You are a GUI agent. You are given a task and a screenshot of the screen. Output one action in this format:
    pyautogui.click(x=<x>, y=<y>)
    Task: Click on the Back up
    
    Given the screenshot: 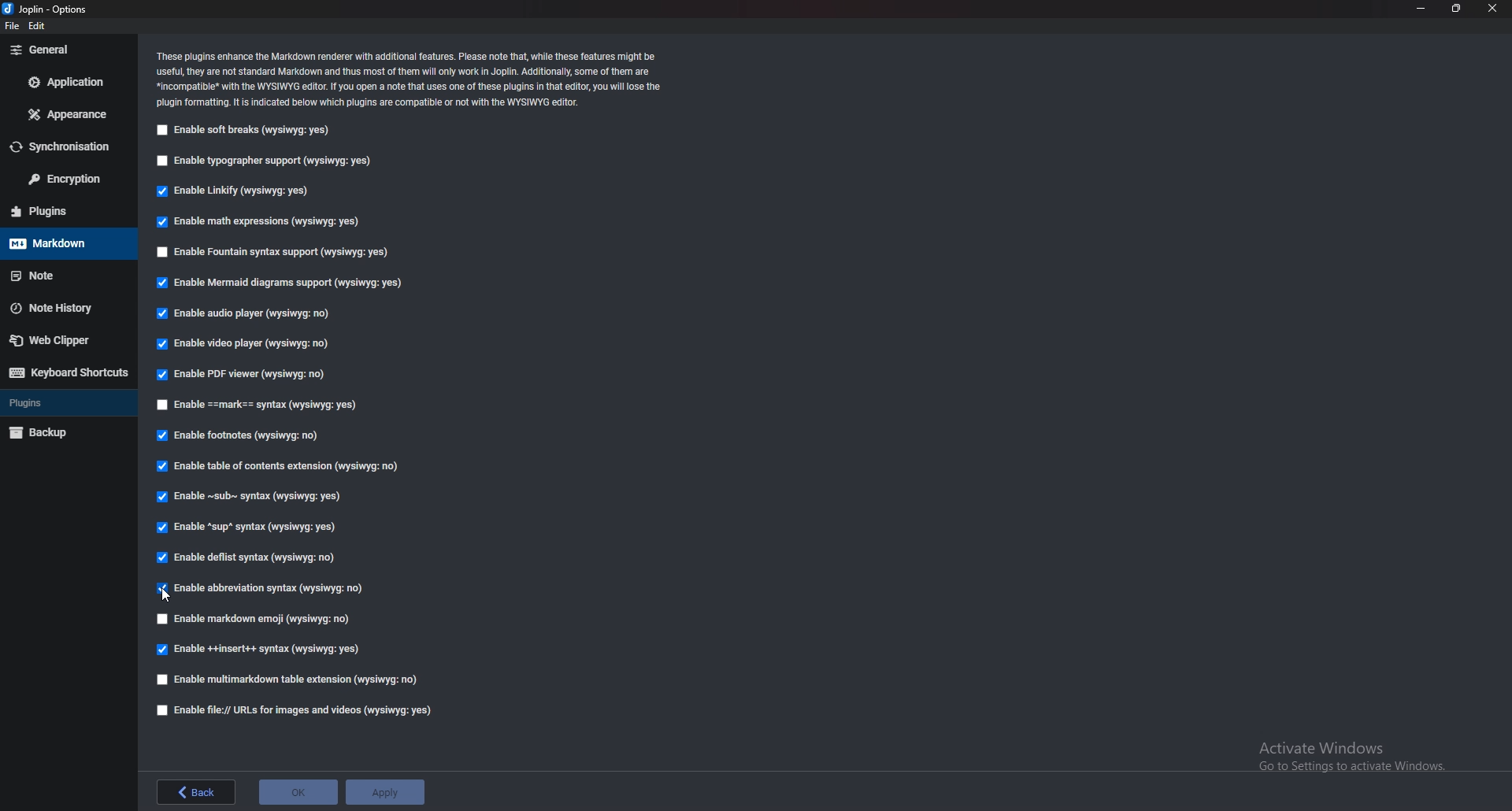 What is the action you would take?
    pyautogui.click(x=65, y=433)
    